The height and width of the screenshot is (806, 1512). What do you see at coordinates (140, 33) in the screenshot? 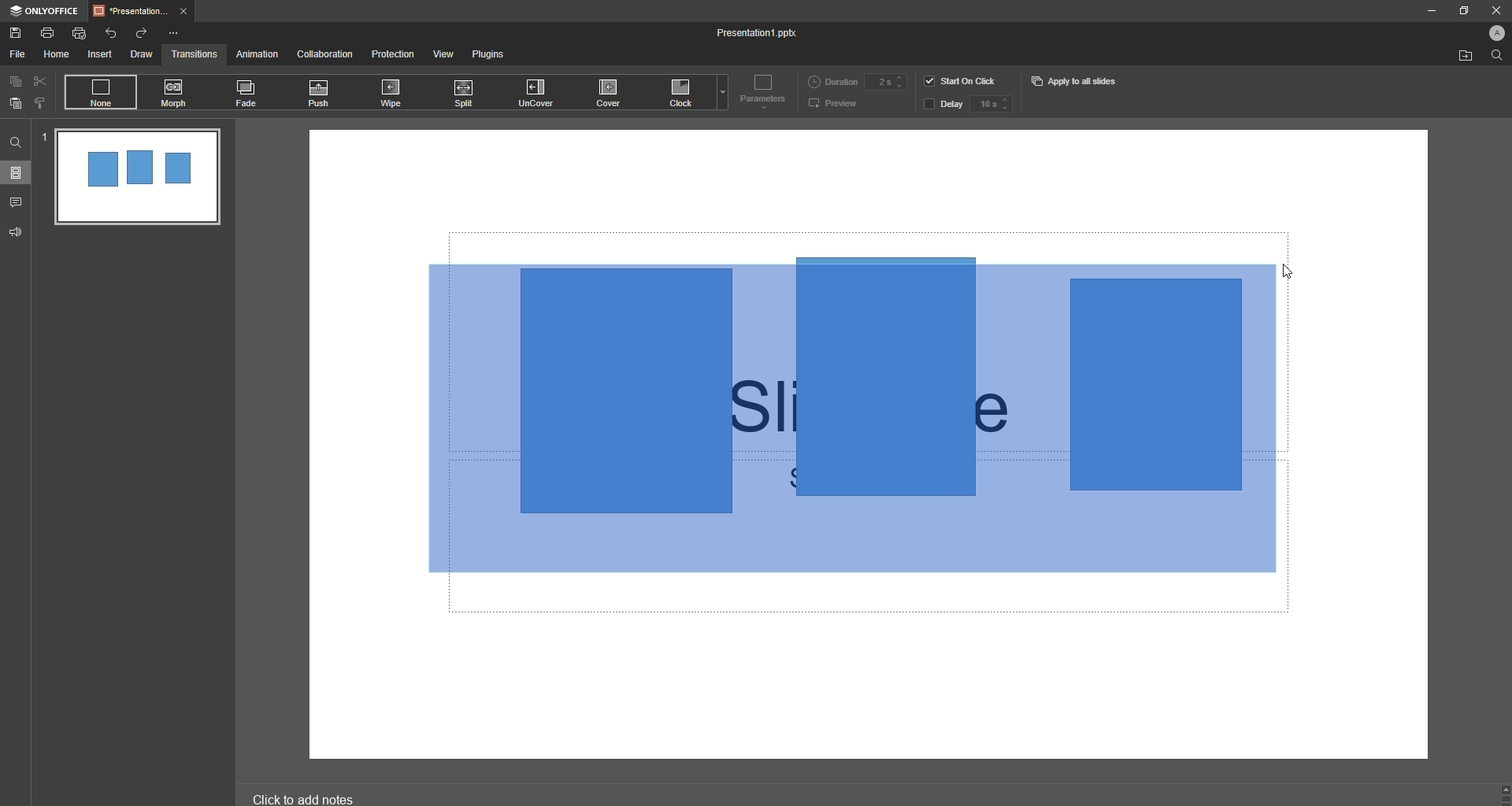
I see `Redo` at bounding box center [140, 33].